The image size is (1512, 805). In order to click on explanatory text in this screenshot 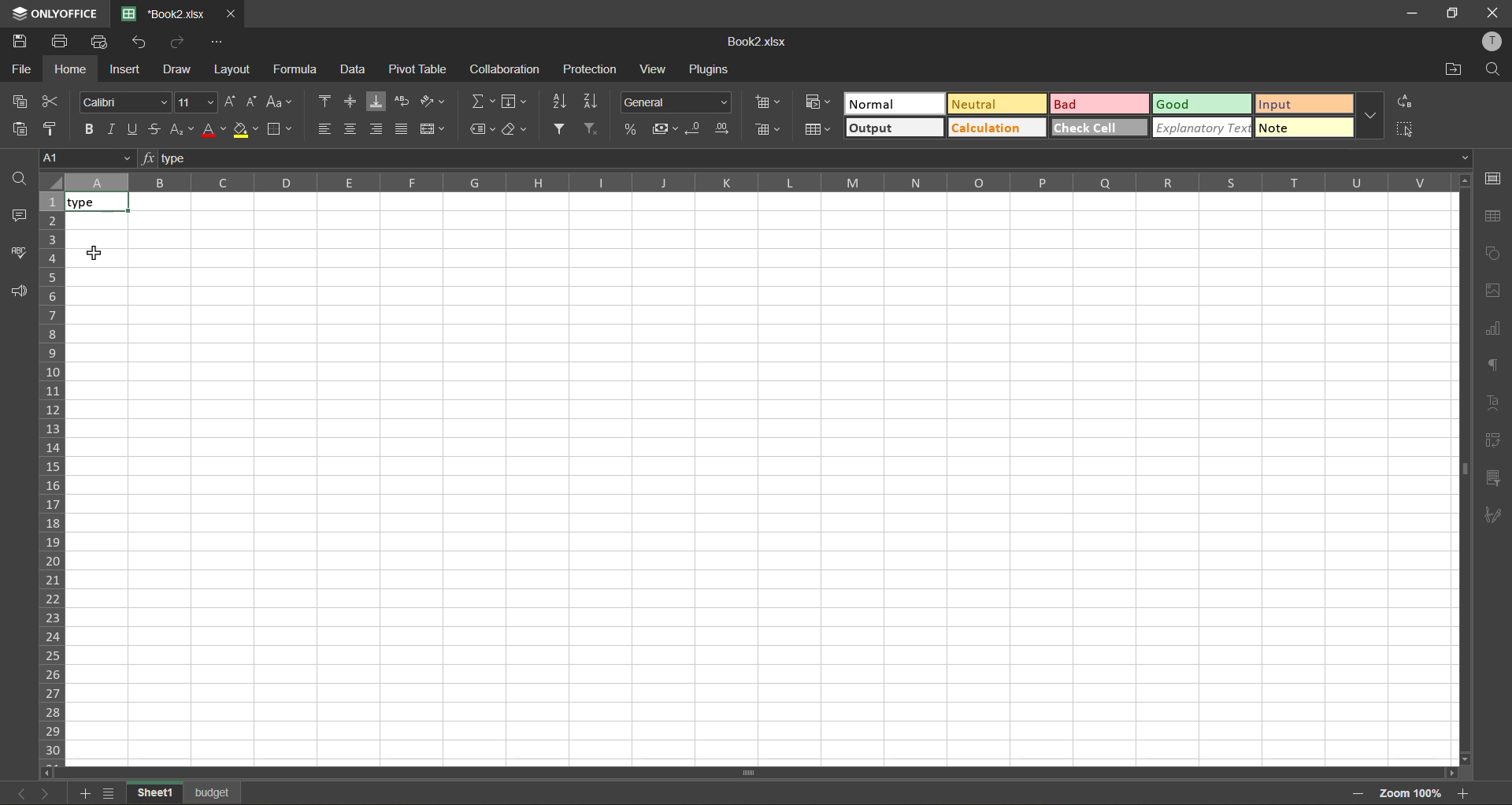, I will do `click(1204, 128)`.